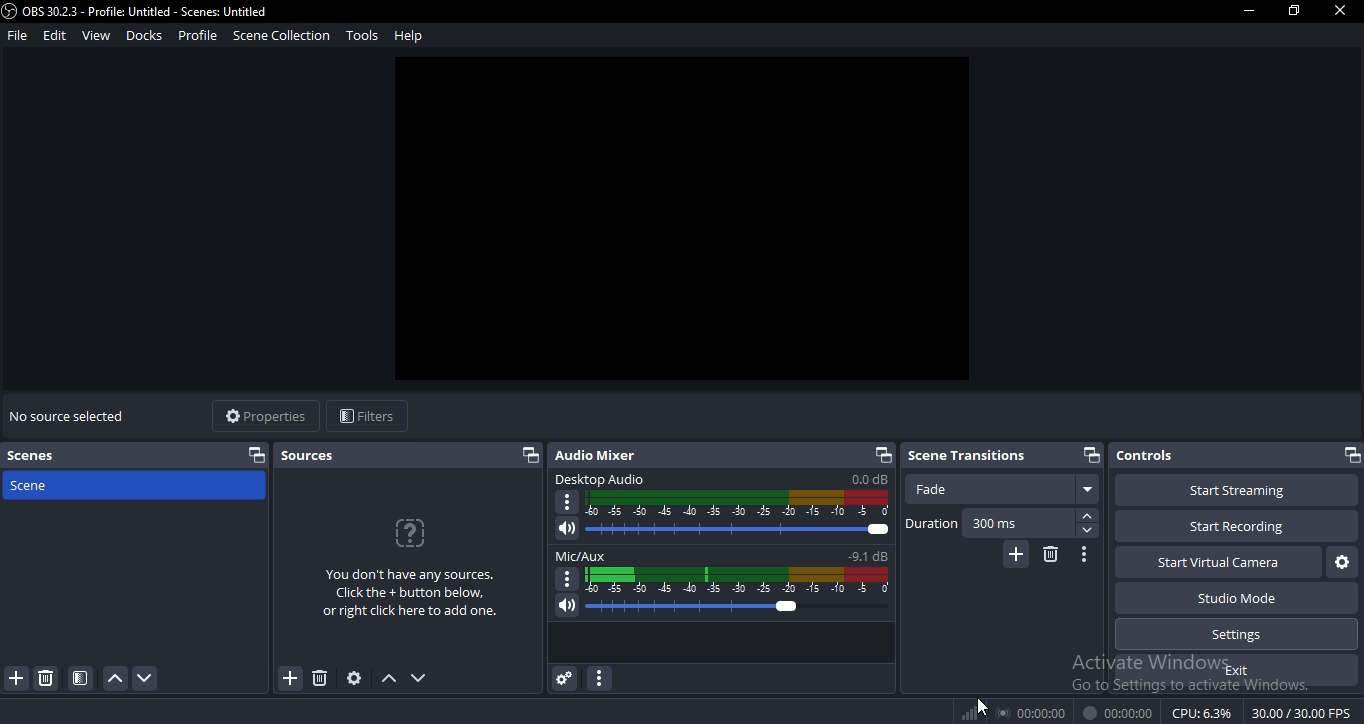  What do you see at coordinates (38, 457) in the screenshot?
I see `scenes` at bounding box center [38, 457].